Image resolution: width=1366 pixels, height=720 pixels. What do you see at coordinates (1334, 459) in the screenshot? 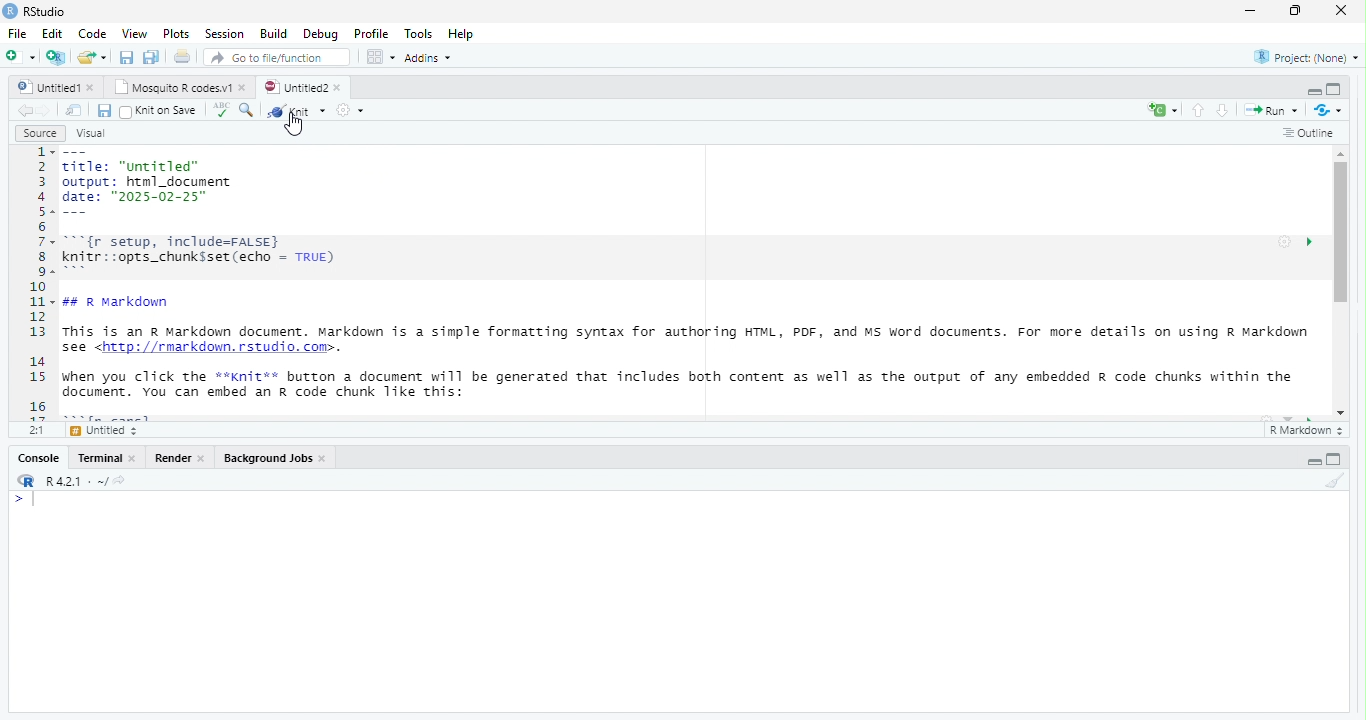
I see `full view` at bounding box center [1334, 459].